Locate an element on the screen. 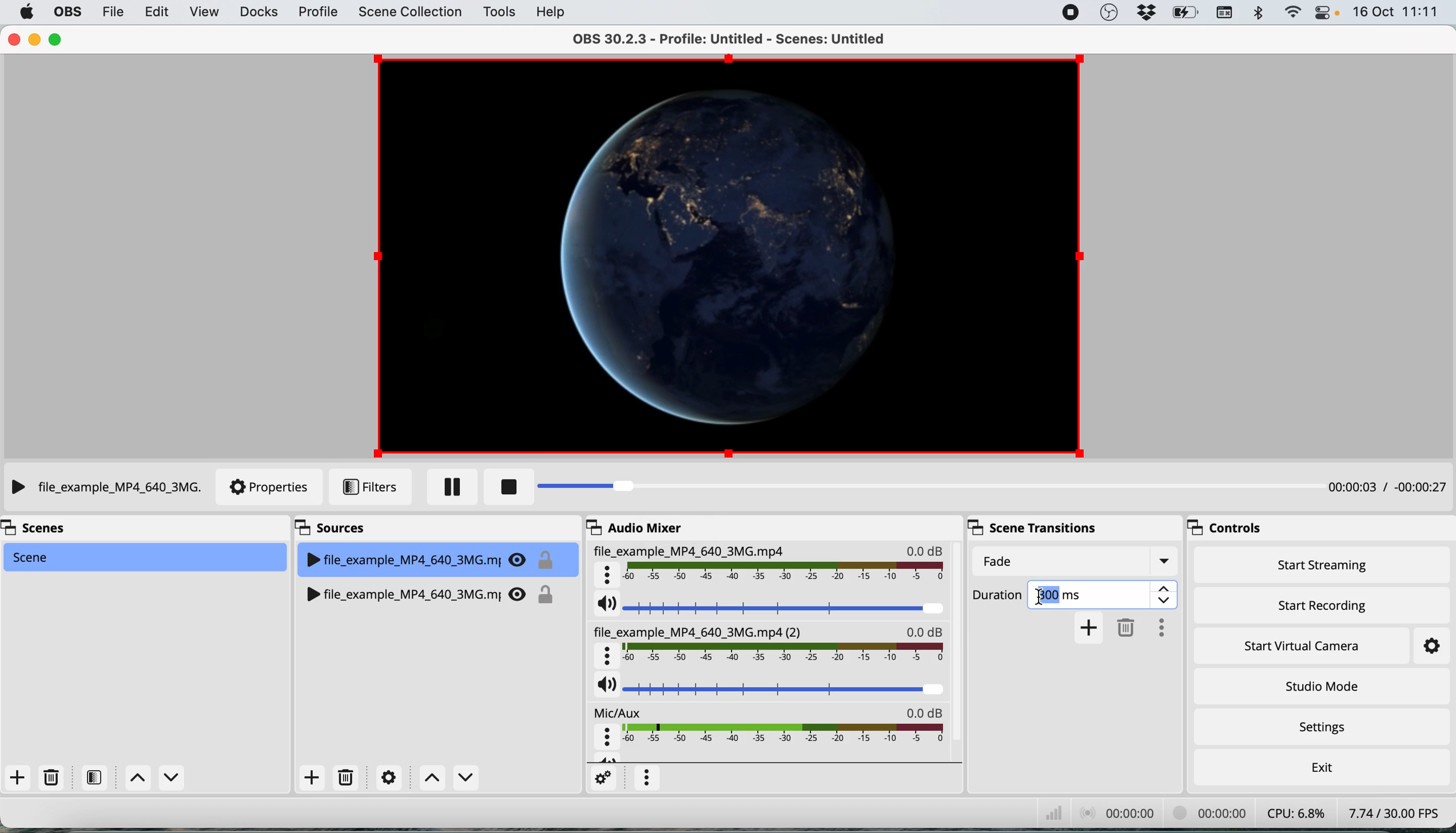  edit is located at coordinates (161, 13).